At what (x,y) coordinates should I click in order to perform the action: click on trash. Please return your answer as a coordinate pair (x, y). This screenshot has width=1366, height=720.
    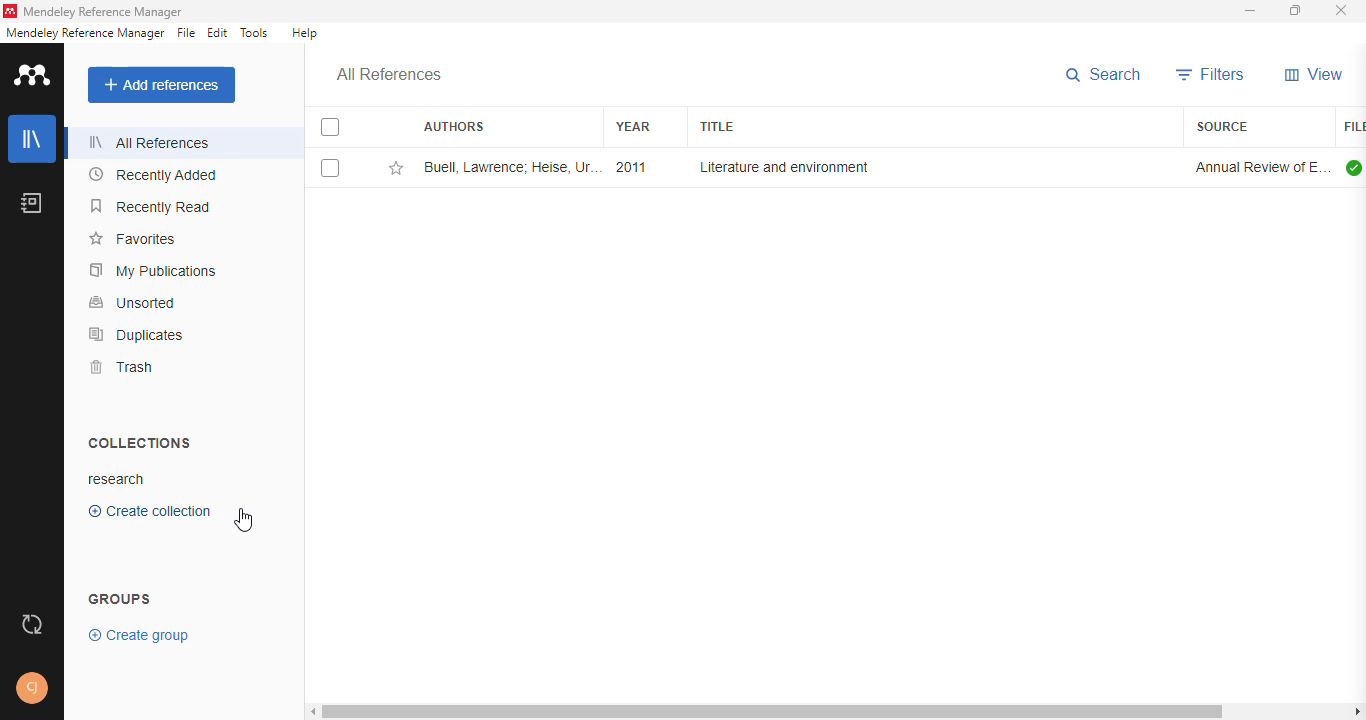
    Looking at the image, I should click on (122, 367).